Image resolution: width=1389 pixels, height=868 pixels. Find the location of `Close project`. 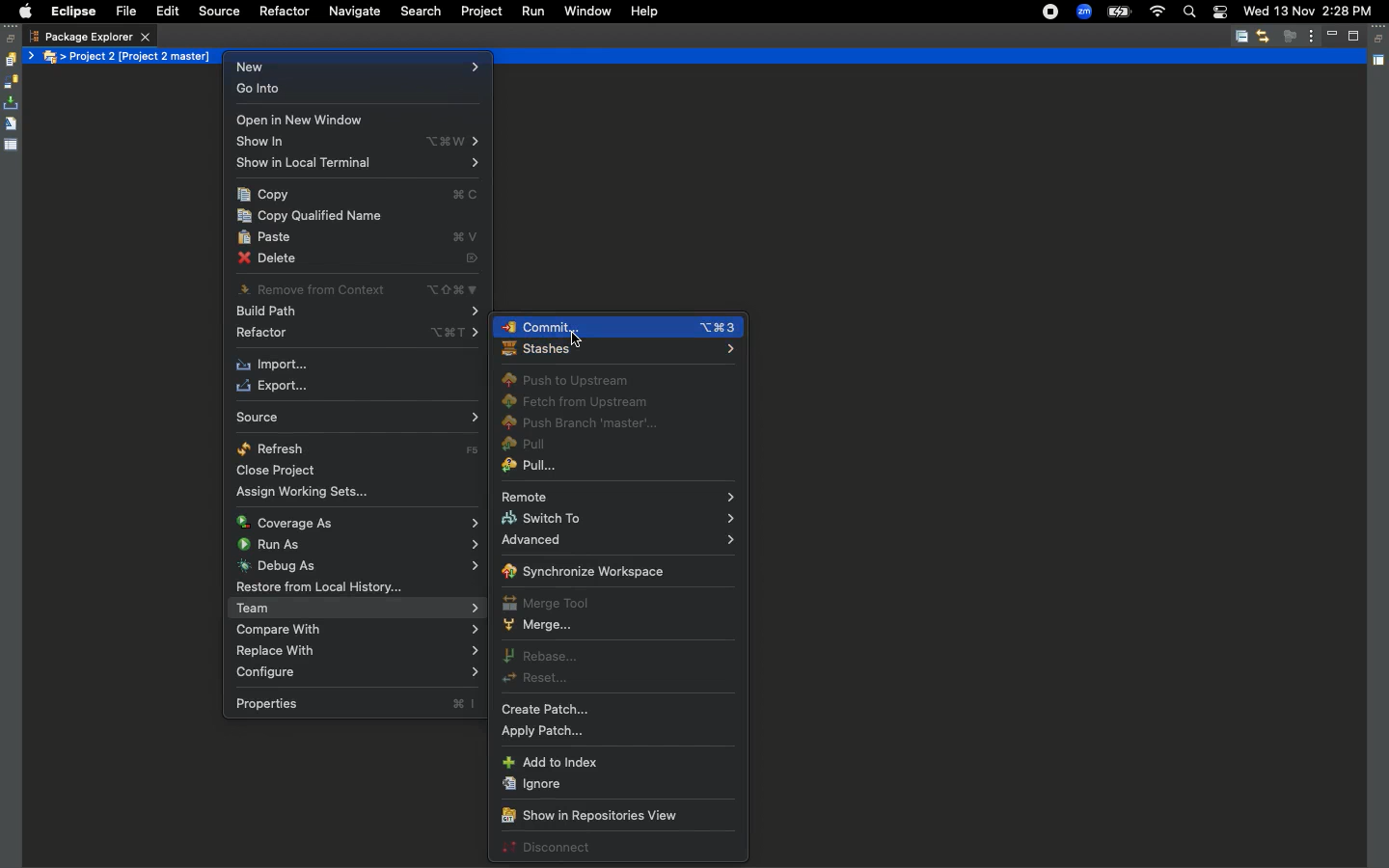

Close project is located at coordinates (278, 471).